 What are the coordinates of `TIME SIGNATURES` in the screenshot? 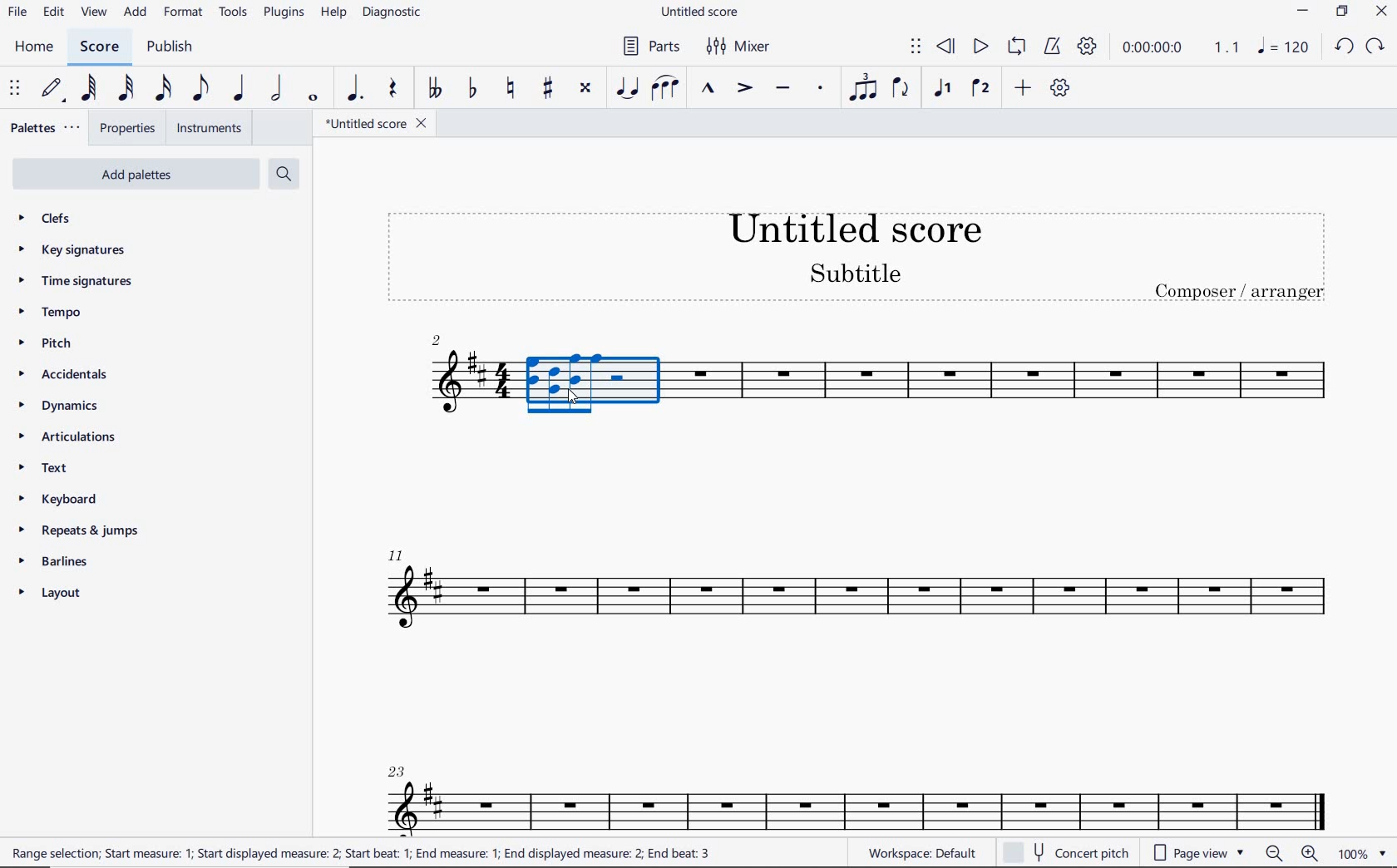 It's located at (77, 282).